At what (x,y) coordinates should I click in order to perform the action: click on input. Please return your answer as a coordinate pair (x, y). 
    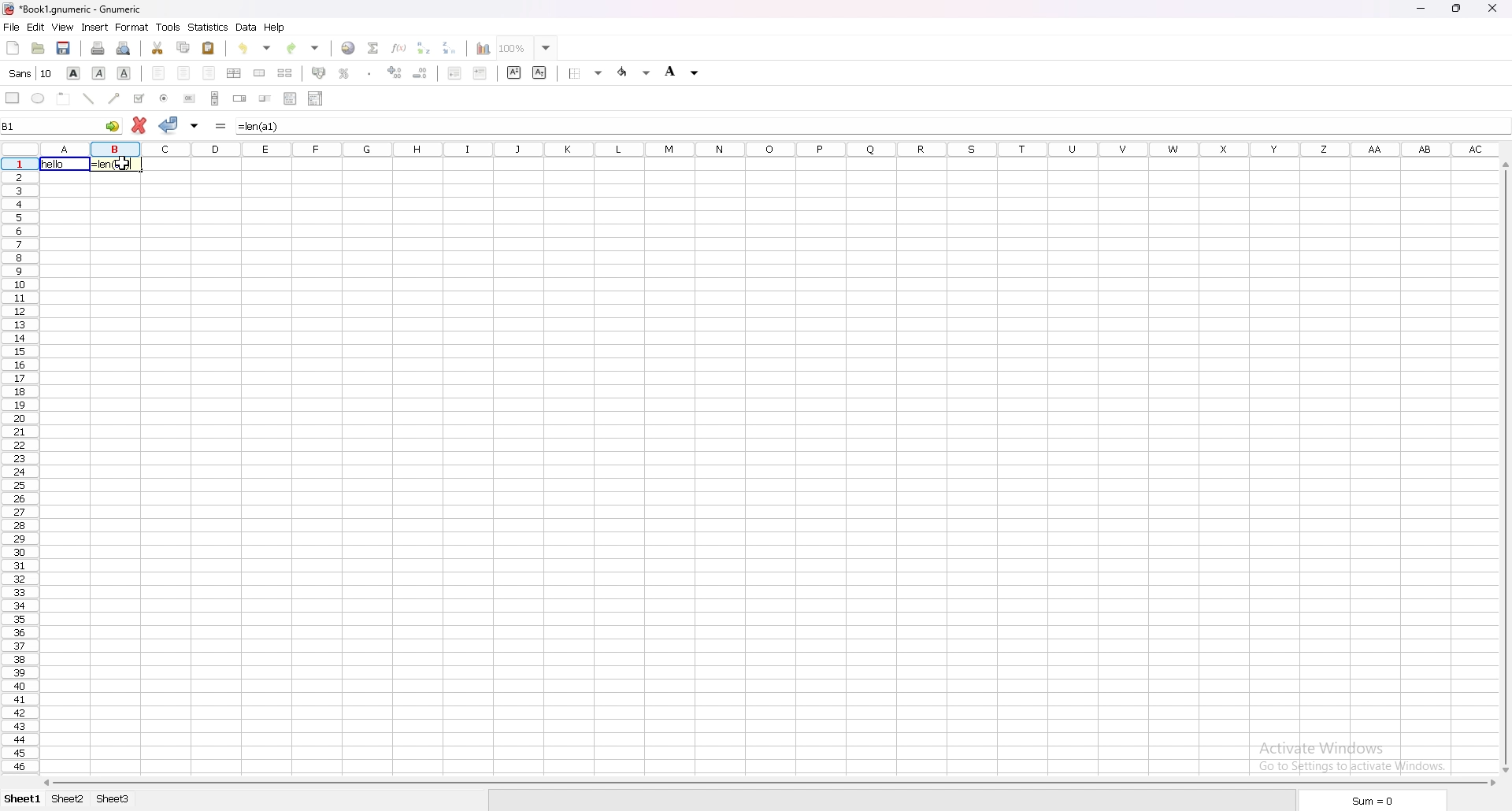
    Looking at the image, I should click on (262, 126).